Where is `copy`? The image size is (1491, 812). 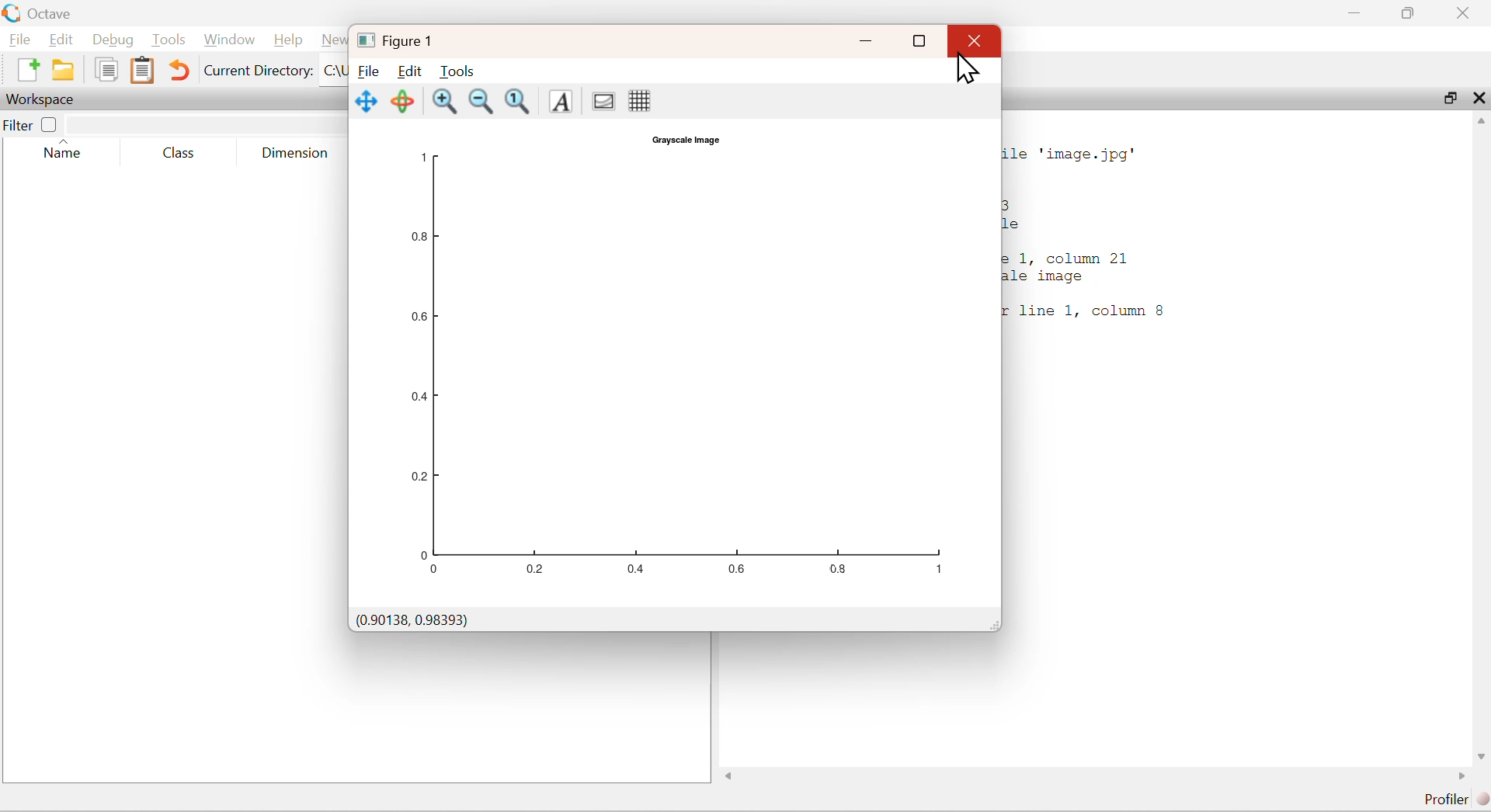 copy is located at coordinates (106, 68).